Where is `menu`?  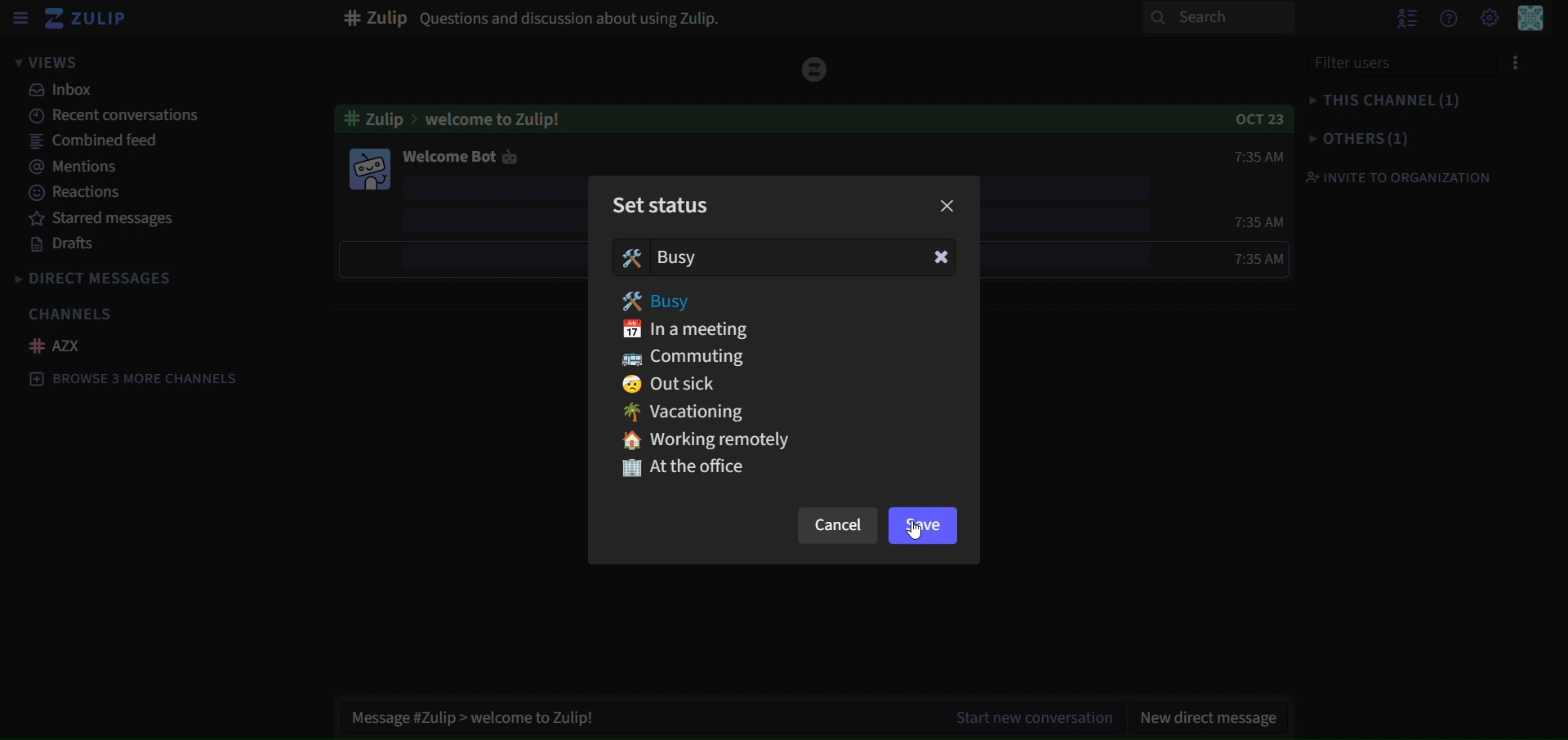
menu is located at coordinates (1518, 60).